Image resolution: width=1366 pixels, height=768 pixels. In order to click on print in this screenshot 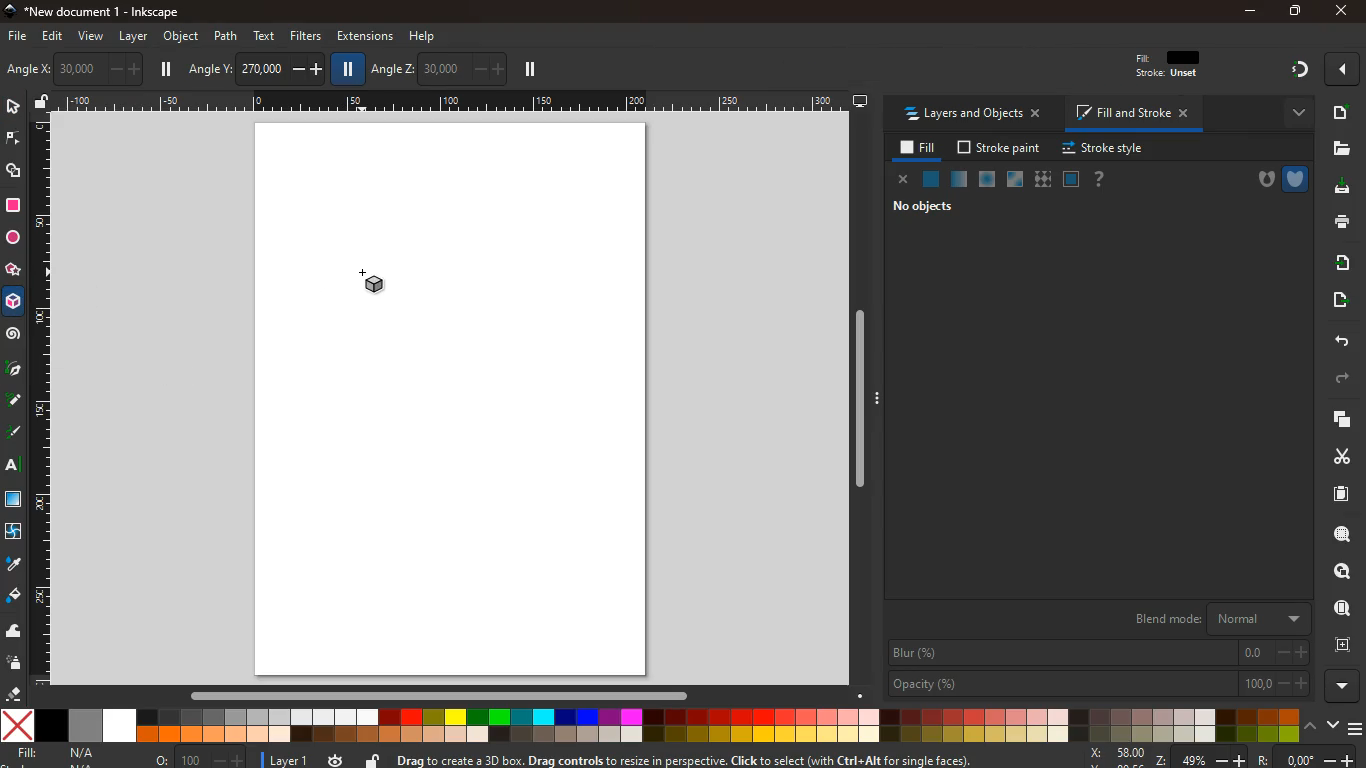, I will do `click(1339, 223)`.